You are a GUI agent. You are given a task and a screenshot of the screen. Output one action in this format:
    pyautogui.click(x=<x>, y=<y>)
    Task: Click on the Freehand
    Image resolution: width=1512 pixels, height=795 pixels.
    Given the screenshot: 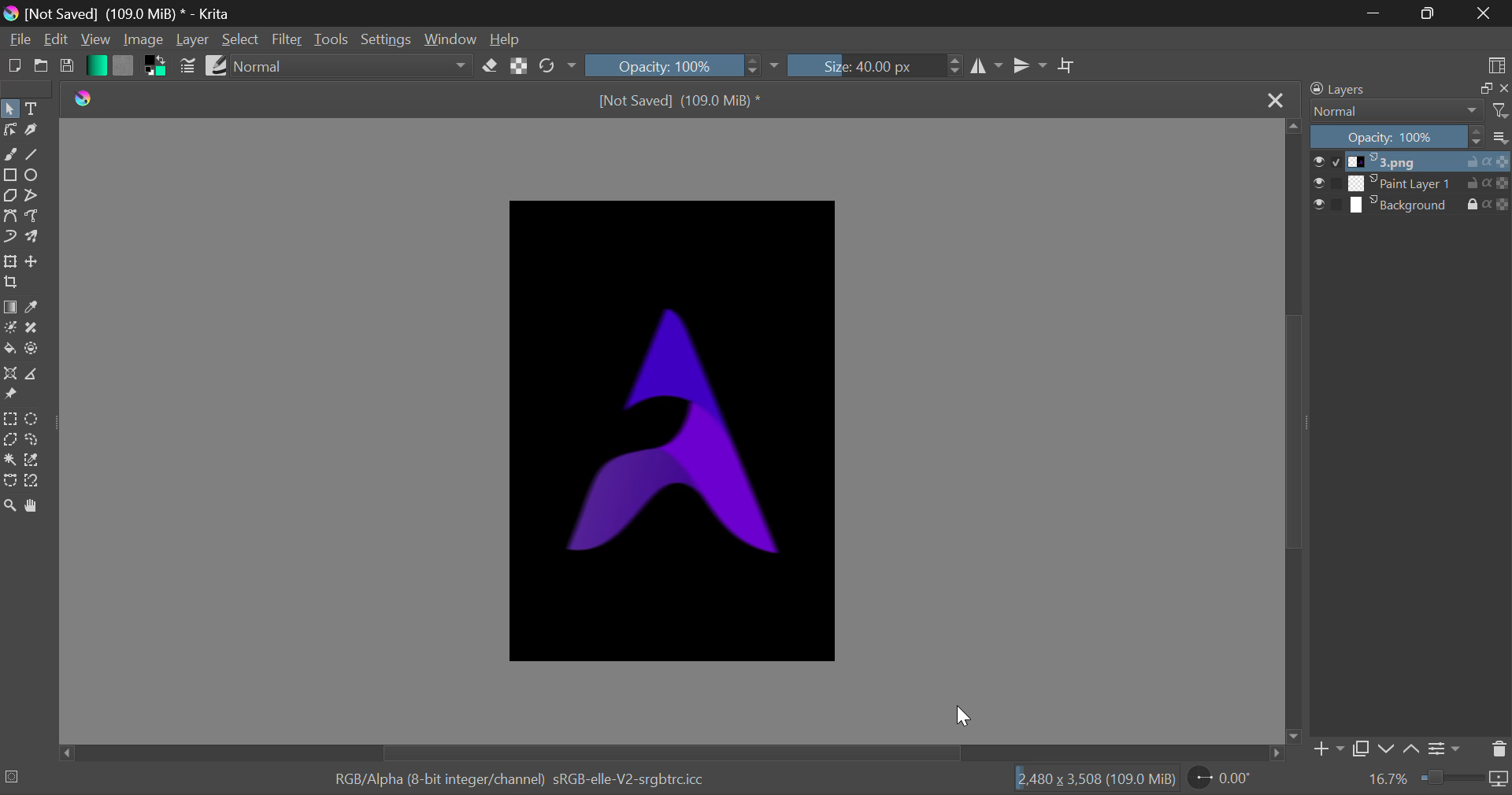 What is the action you would take?
    pyautogui.click(x=10, y=154)
    